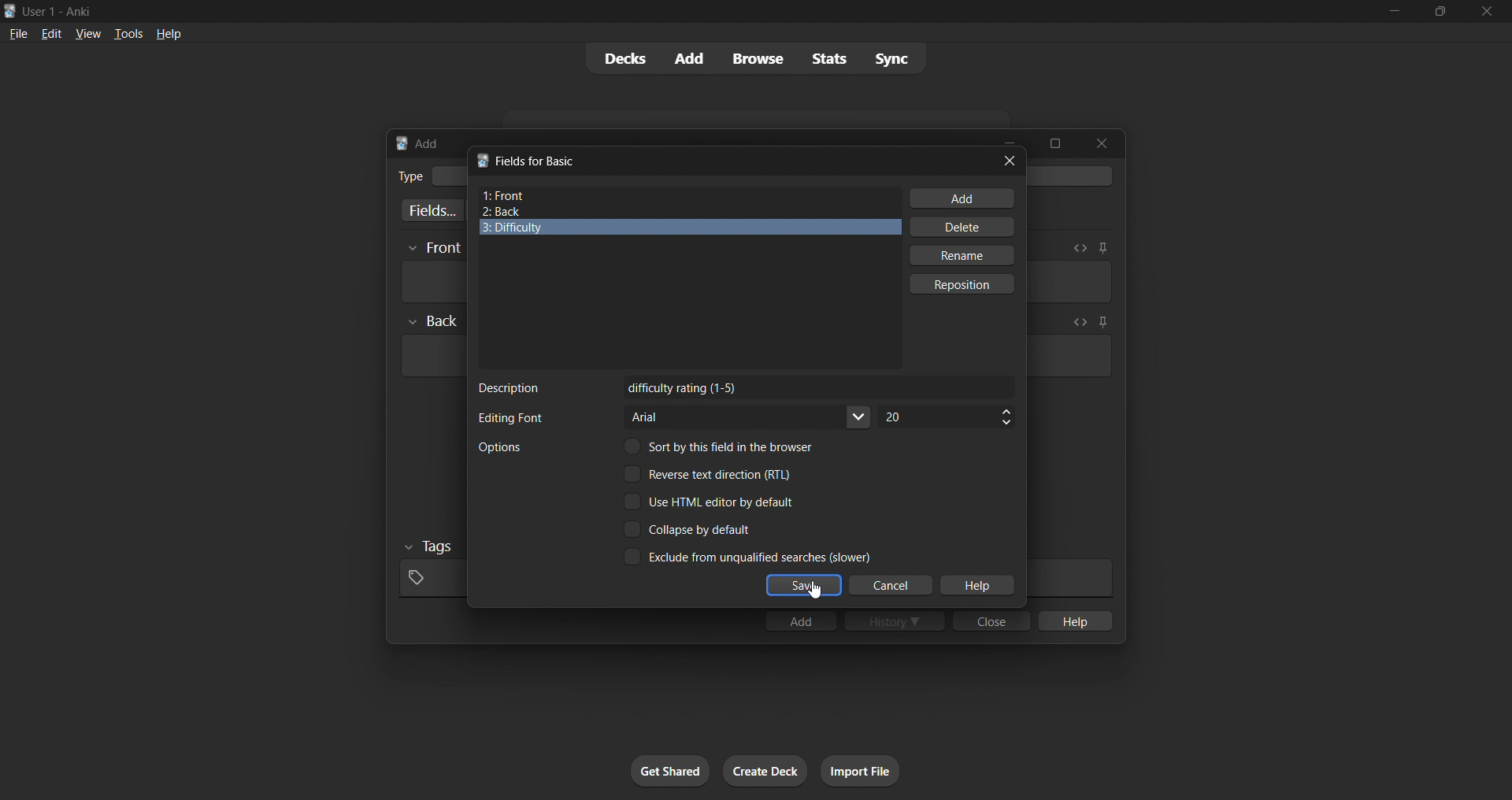 The image size is (1512, 800). Describe the element at coordinates (946, 417) in the screenshot. I see `field font size` at that location.